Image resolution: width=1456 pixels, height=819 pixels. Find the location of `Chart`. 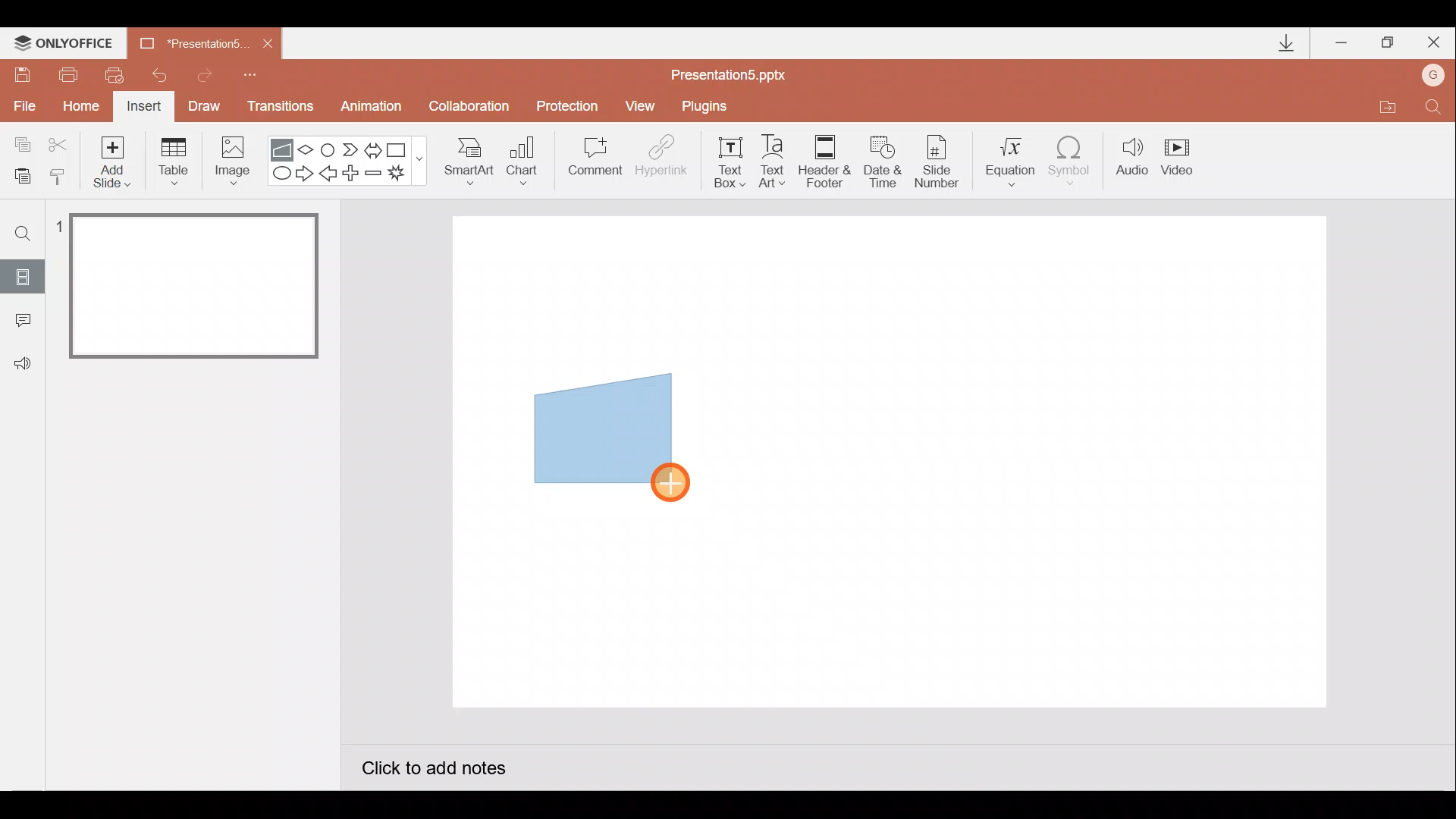

Chart is located at coordinates (522, 158).